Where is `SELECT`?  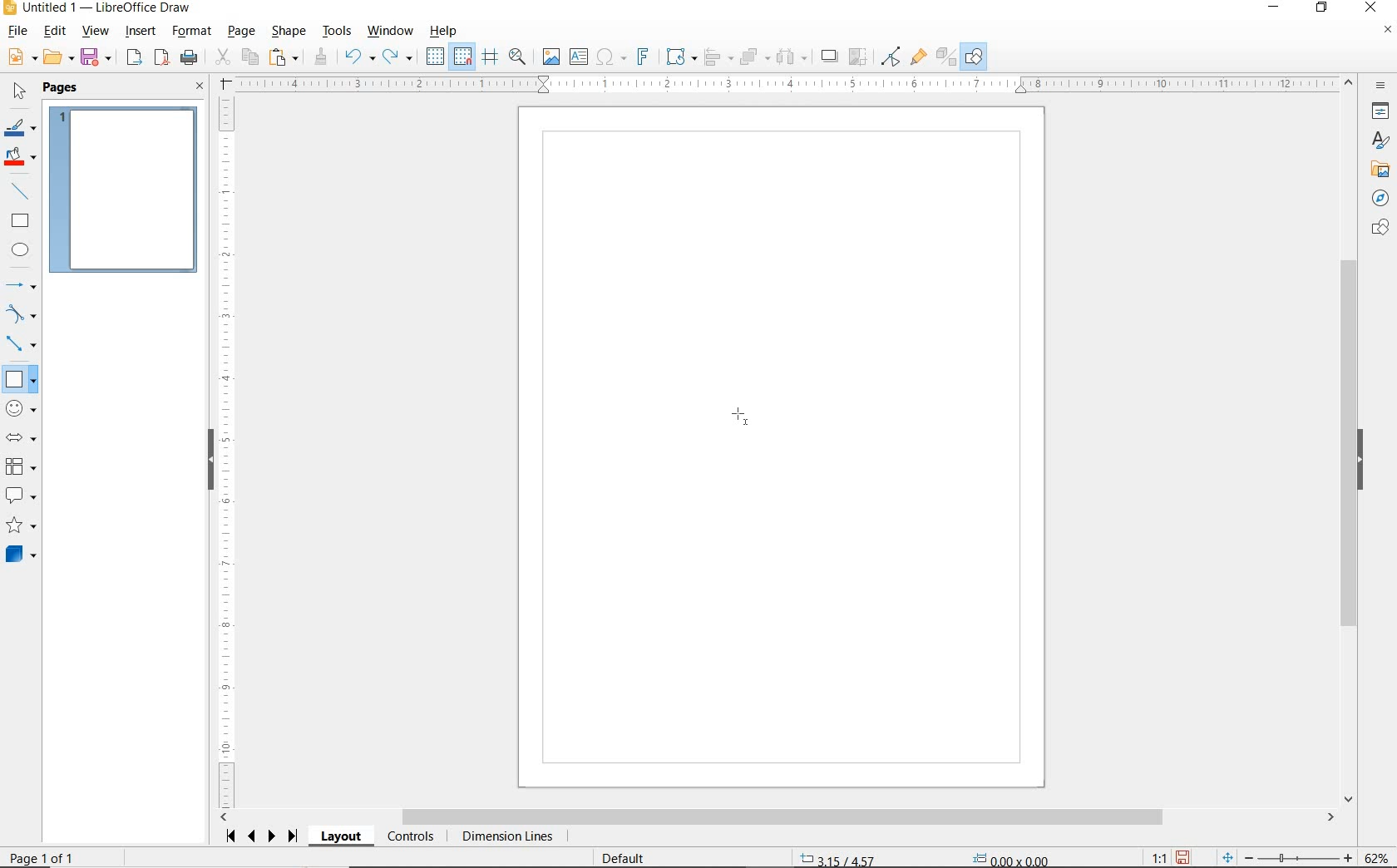 SELECT is located at coordinates (17, 94).